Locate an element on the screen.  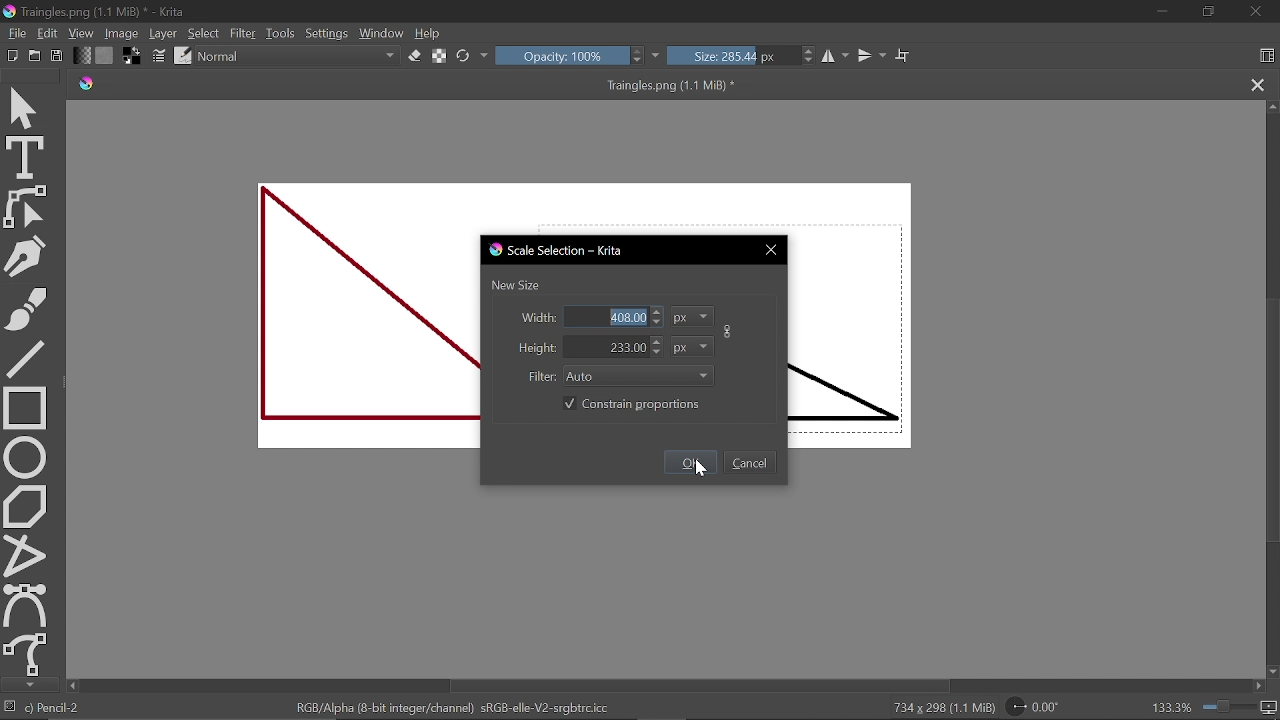
Create new file is located at coordinates (35, 55).